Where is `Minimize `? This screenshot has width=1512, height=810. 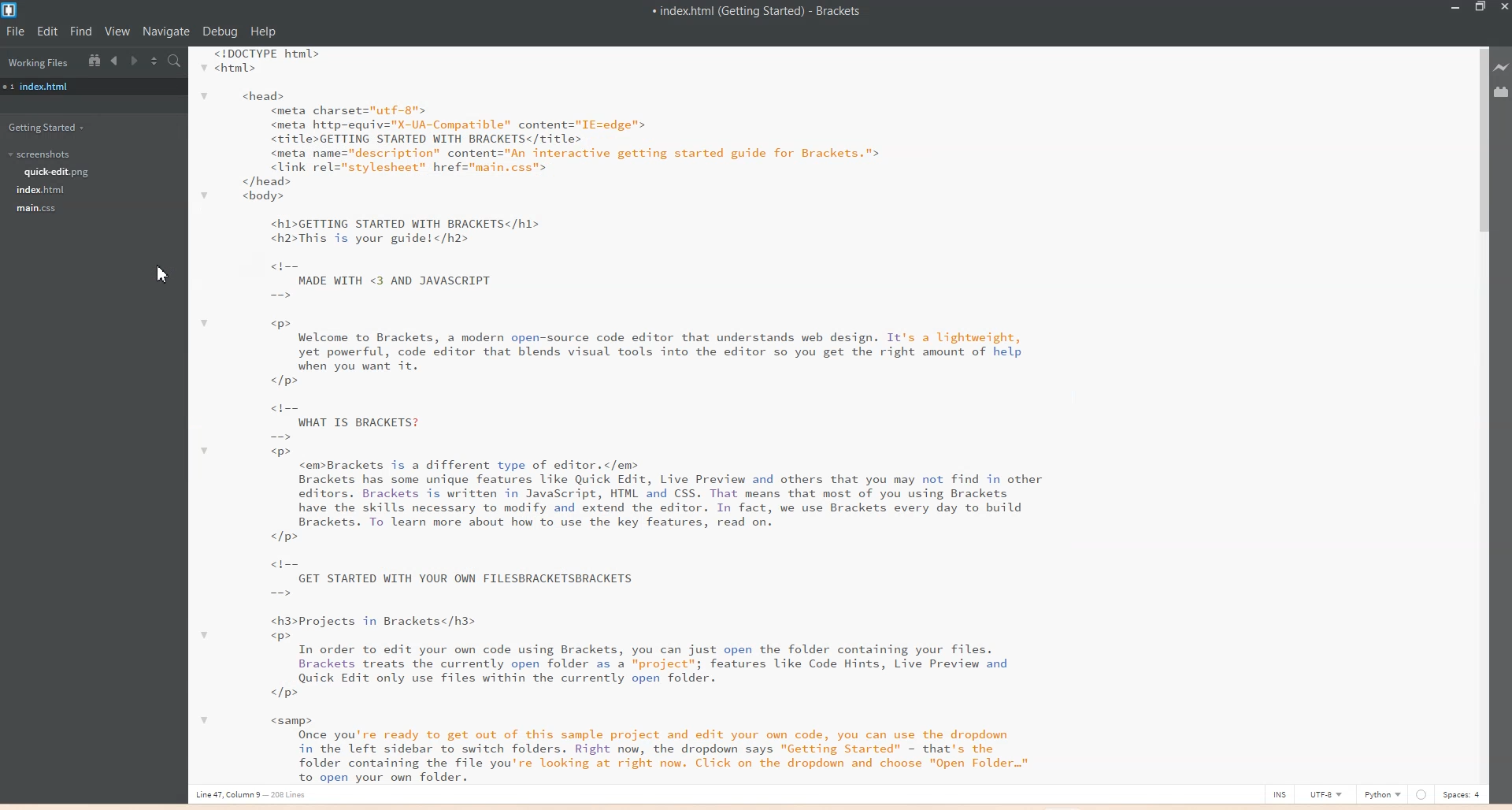
Minimize  is located at coordinates (1456, 9).